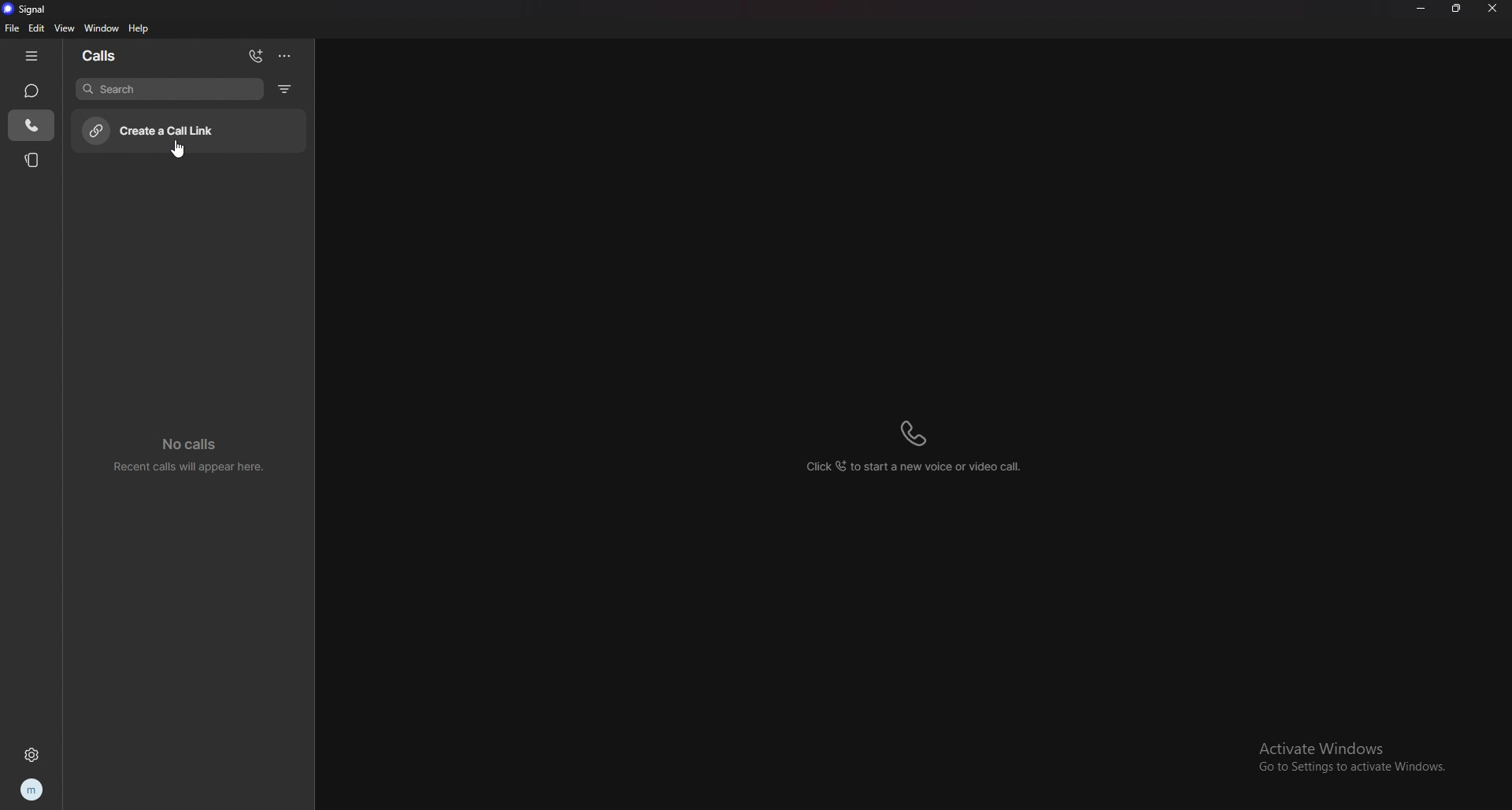 Image resolution: width=1512 pixels, height=810 pixels. I want to click on no calls recent calls will appear here, so click(190, 455).